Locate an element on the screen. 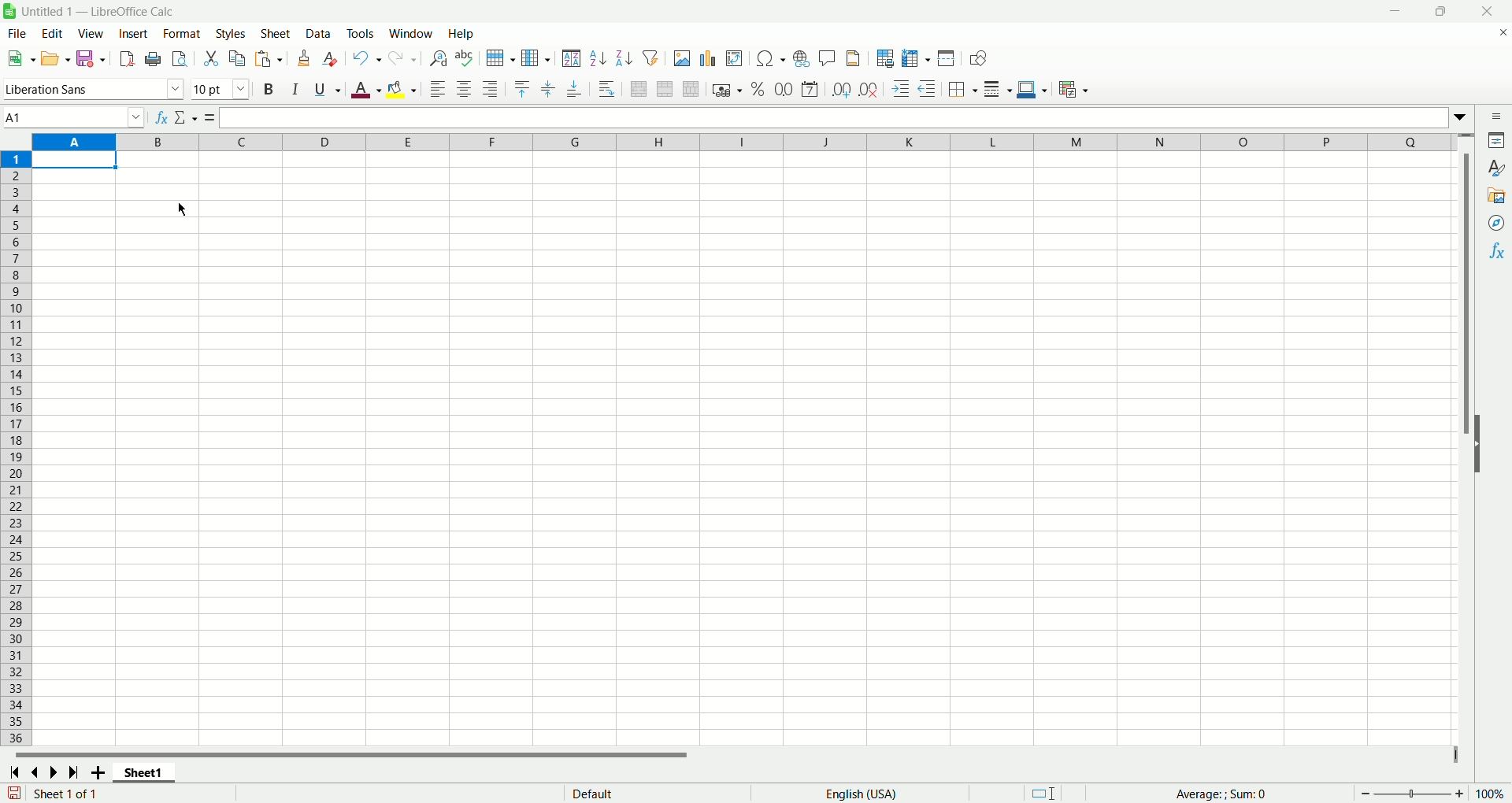 This screenshot has height=803, width=1512. redo is located at coordinates (404, 58).